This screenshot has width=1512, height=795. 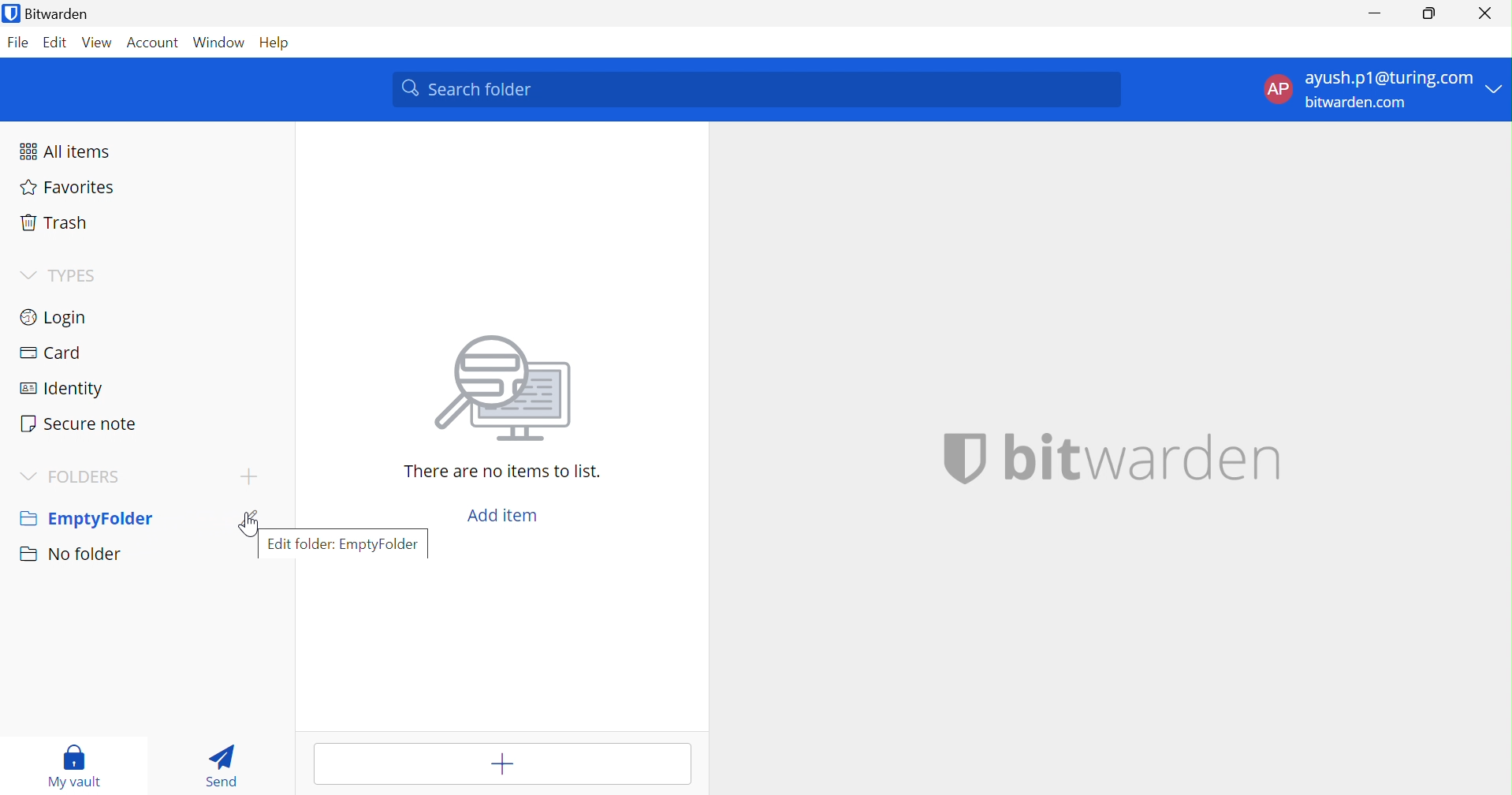 What do you see at coordinates (54, 315) in the screenshot?
I see `Login` at bounding box center [54, 315].